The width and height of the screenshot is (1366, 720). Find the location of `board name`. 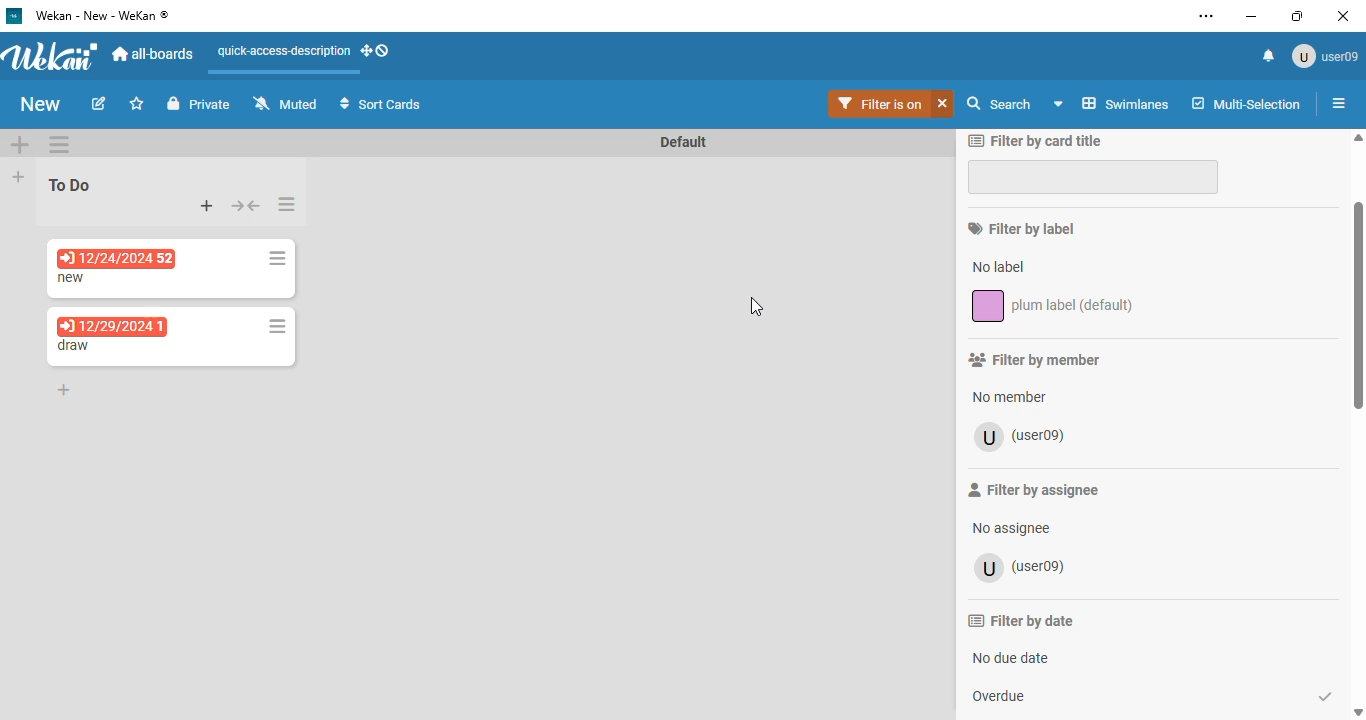

board name is located at coordinates (41, 104).